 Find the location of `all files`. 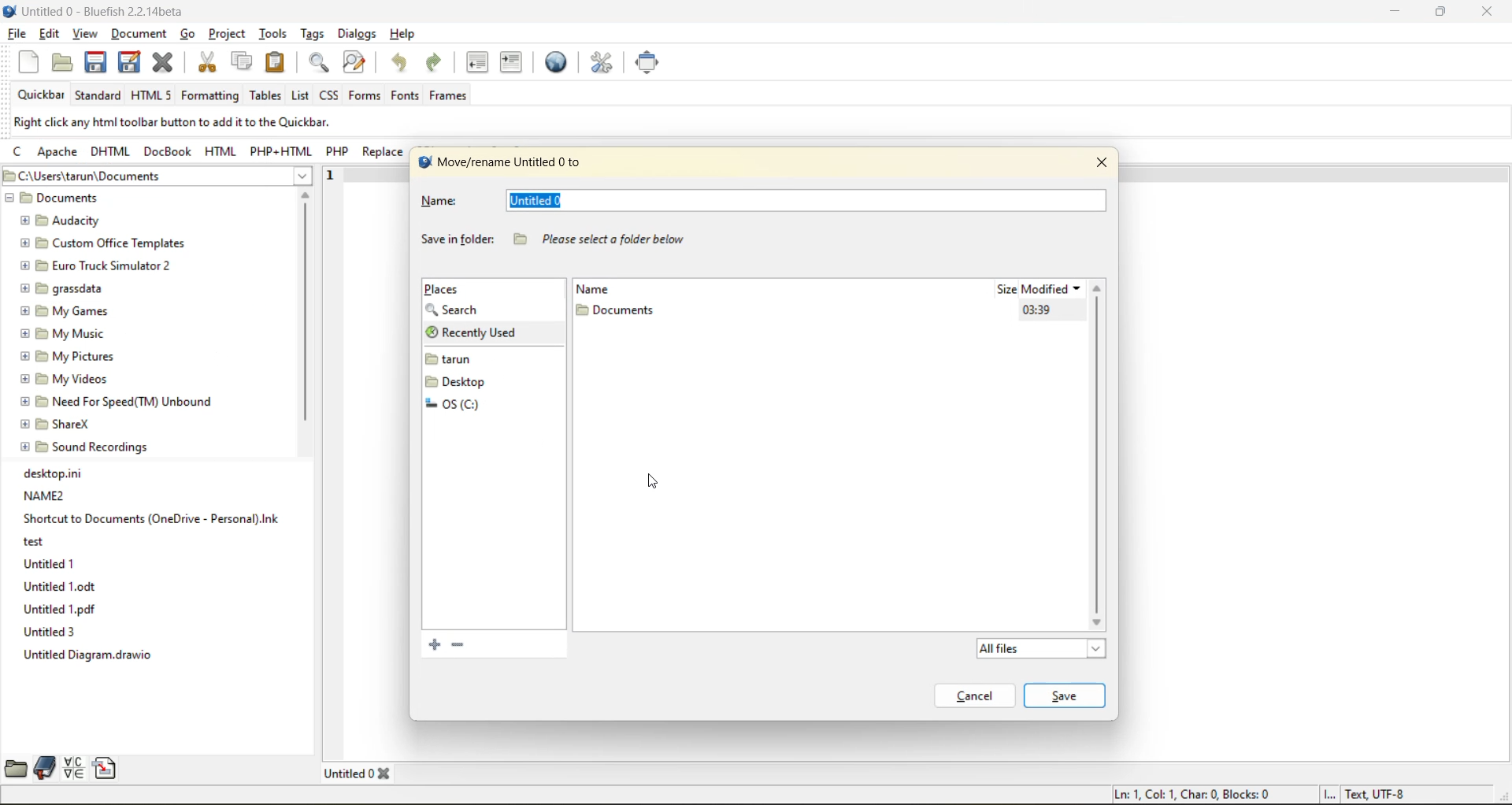

all files is located at coordinates (1044, 647).